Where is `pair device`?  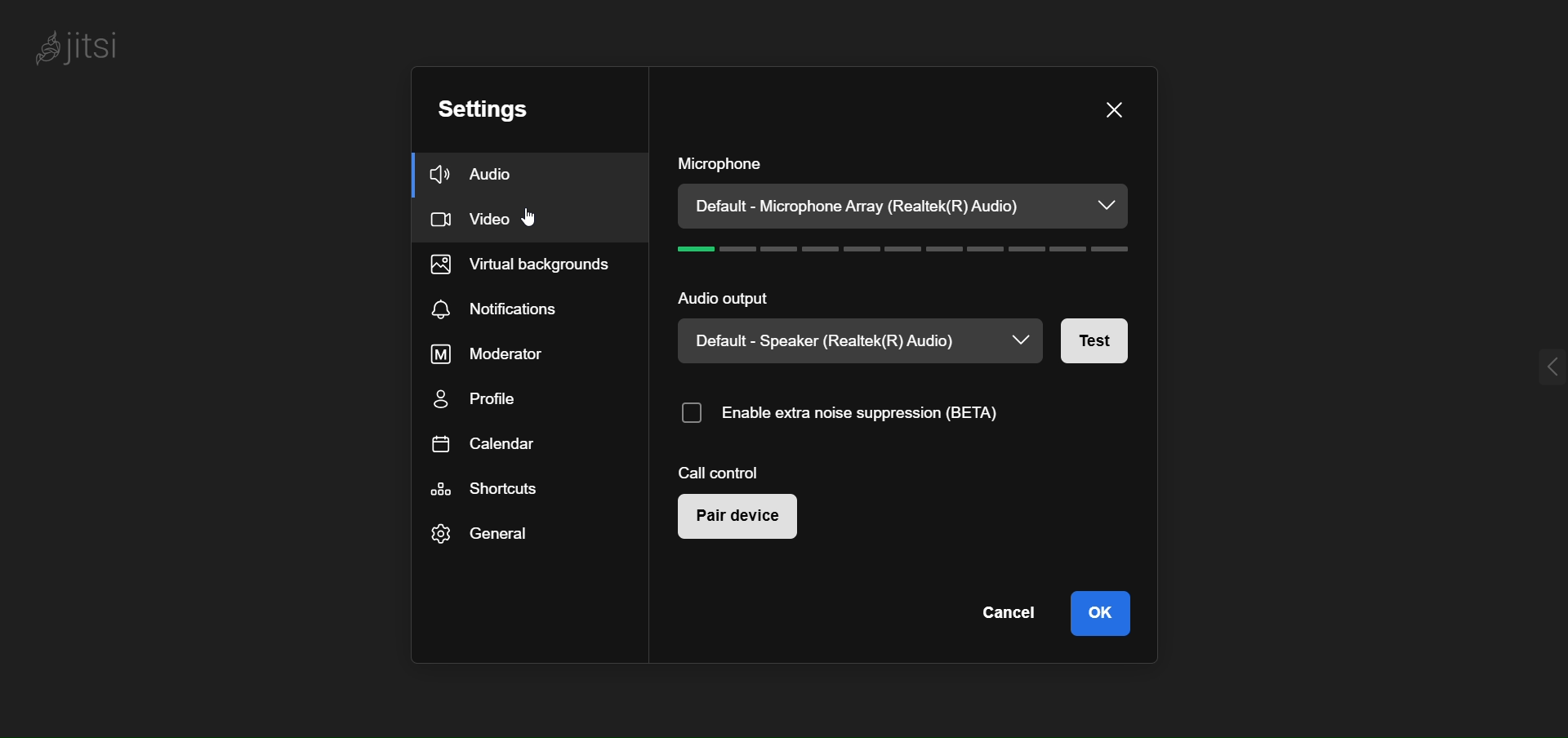 pair device is located at coordinates (739, 517).